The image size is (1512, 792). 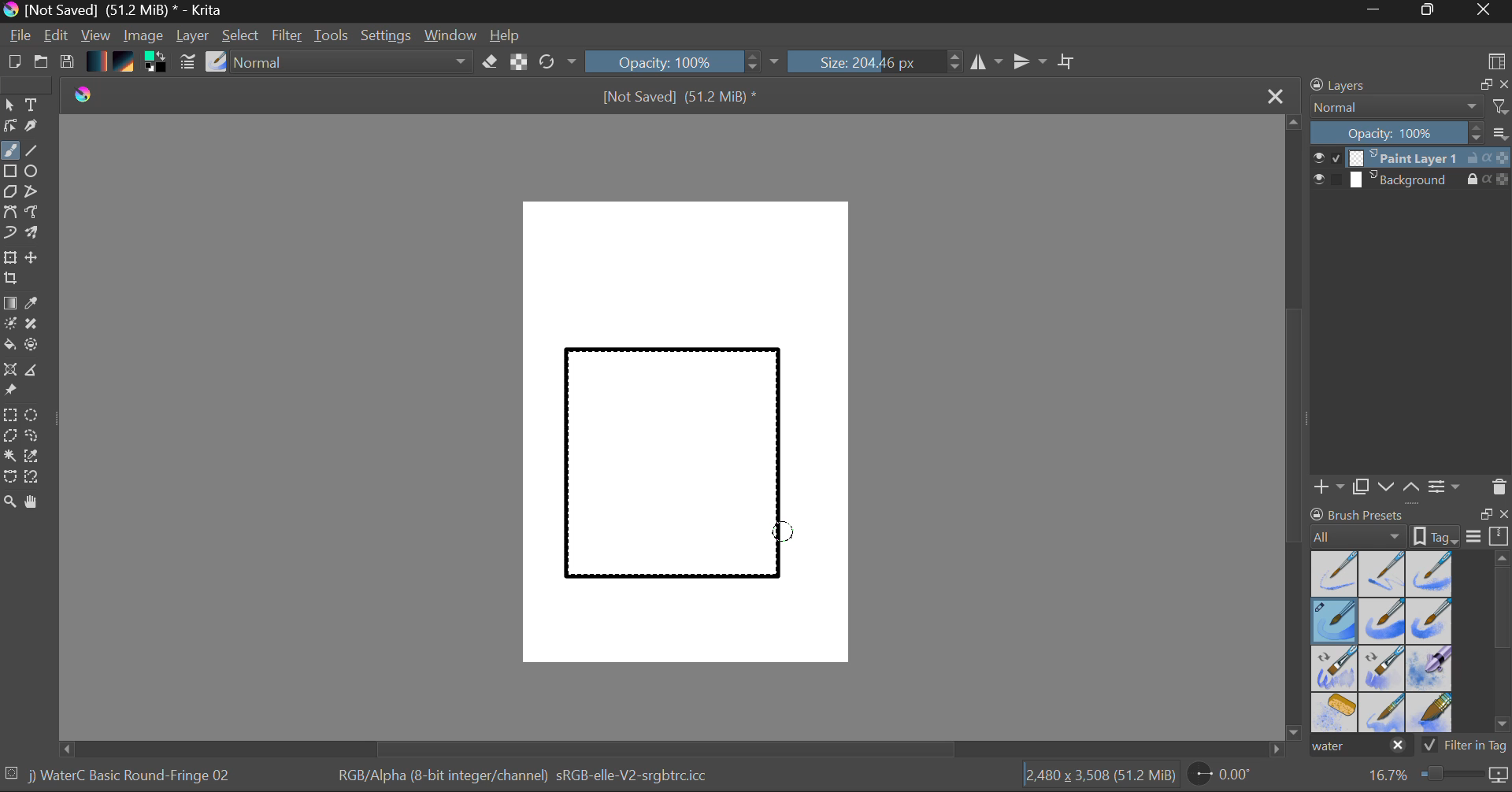 What do you see at coordinates (20, 38) in the screenshot?
I see `File` at bounding box center [20, 38].